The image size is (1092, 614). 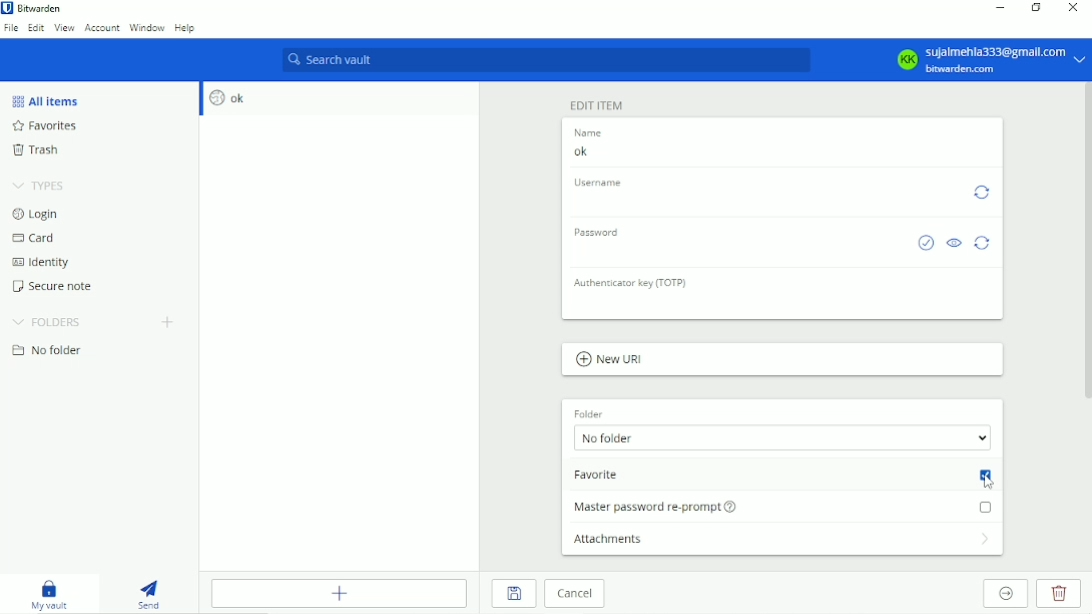 I want to click on select Folder, so click(x=783, y=439).